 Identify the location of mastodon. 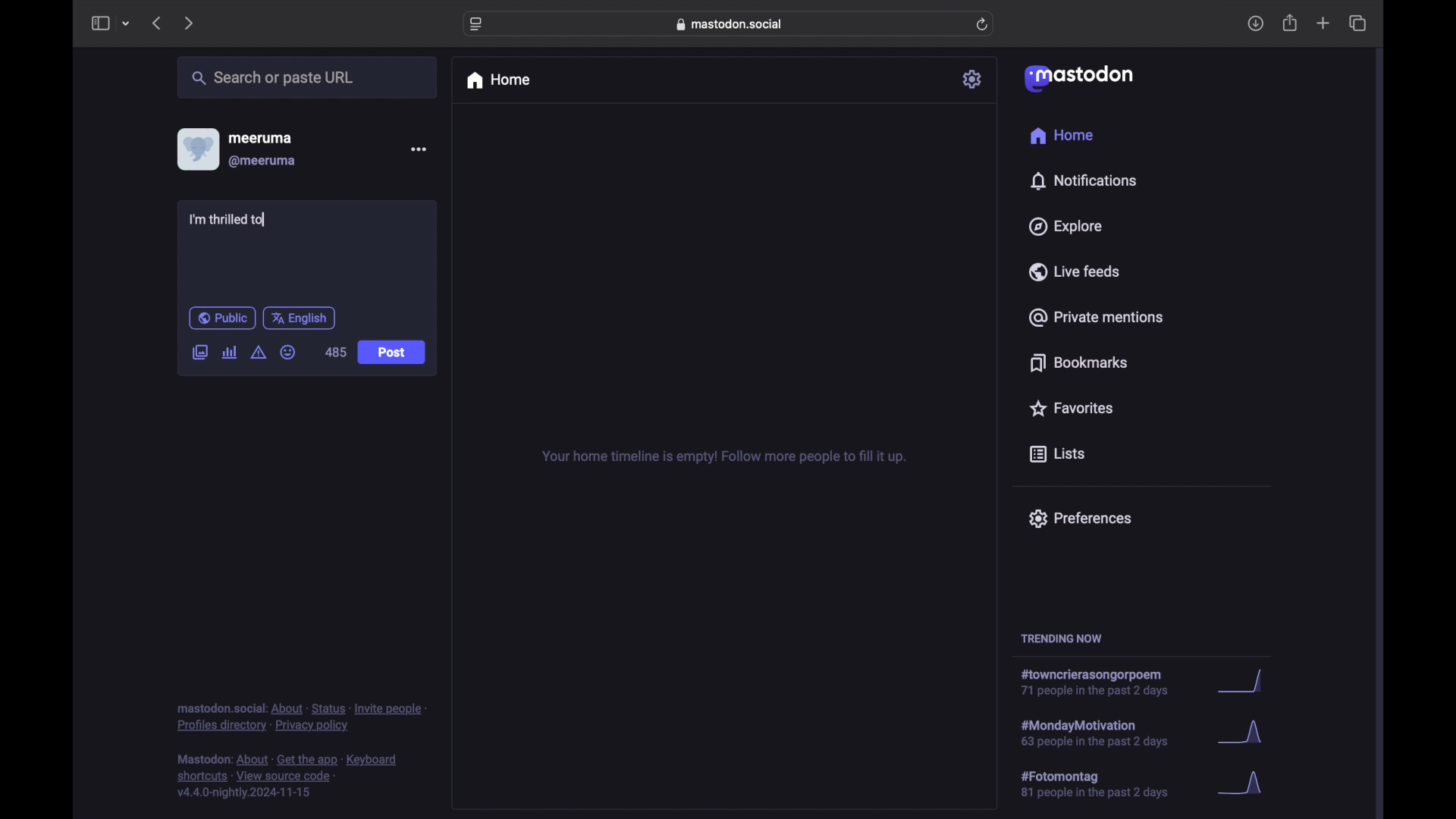
(1079, 79).